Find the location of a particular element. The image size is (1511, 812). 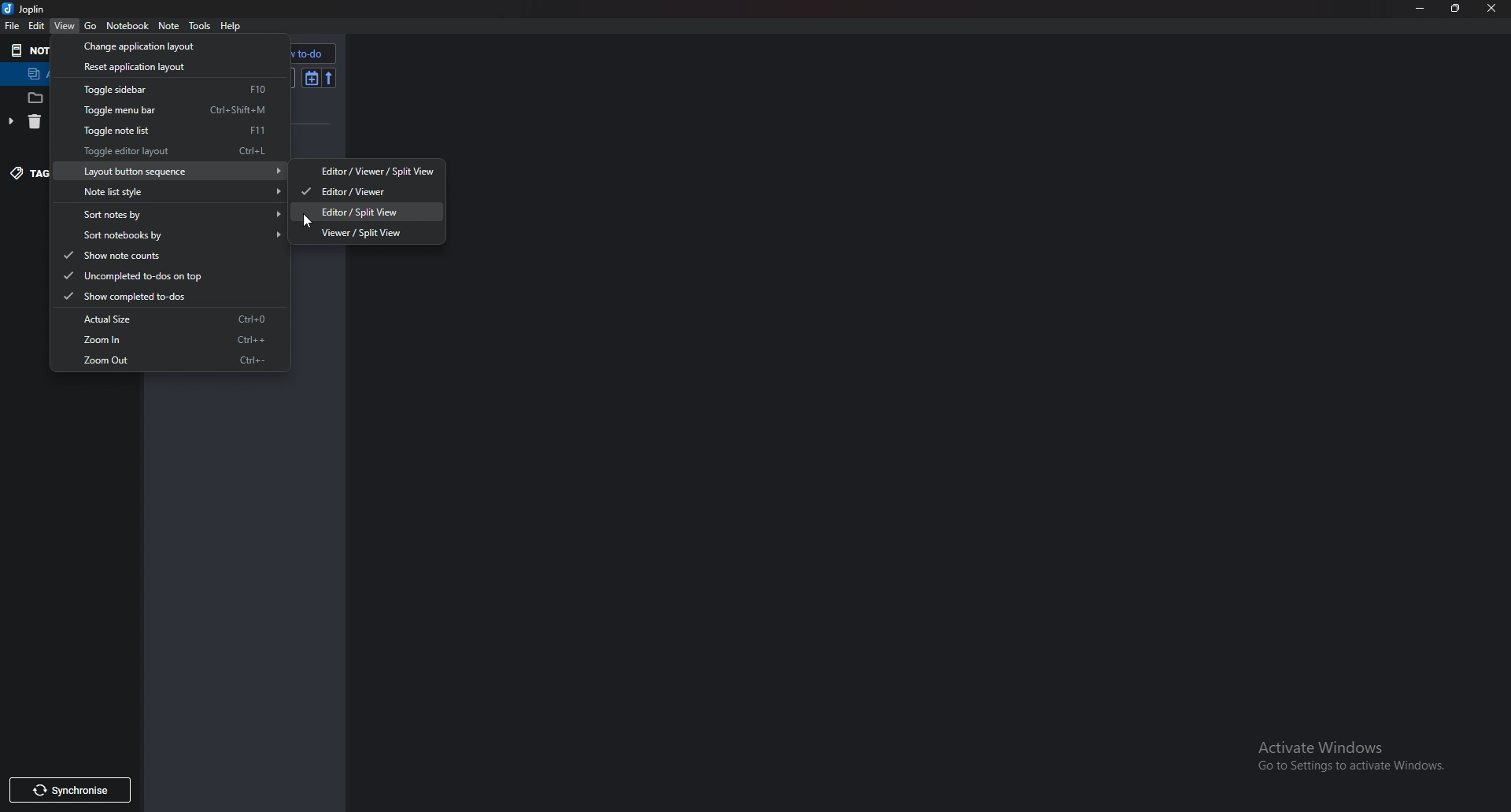

Layout button sequence is located at coordinates (170, 171).